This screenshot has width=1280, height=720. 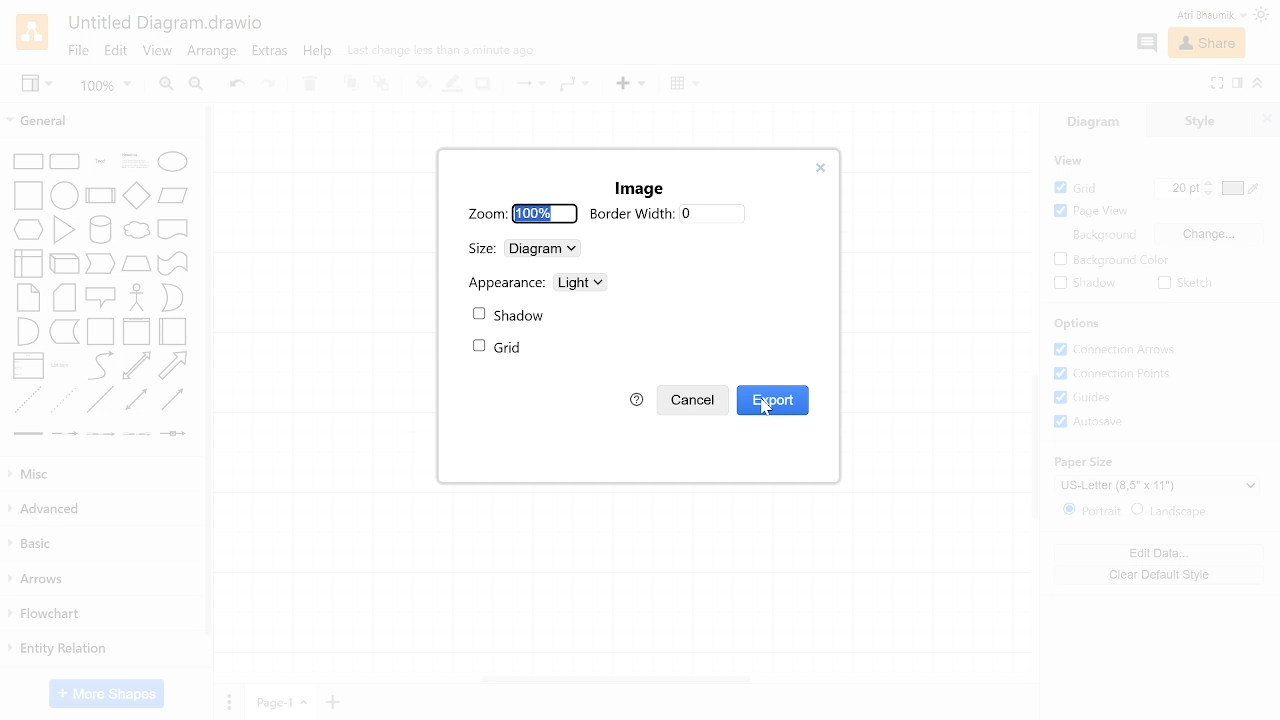 I want to click on File, so click(x=80, y=51).